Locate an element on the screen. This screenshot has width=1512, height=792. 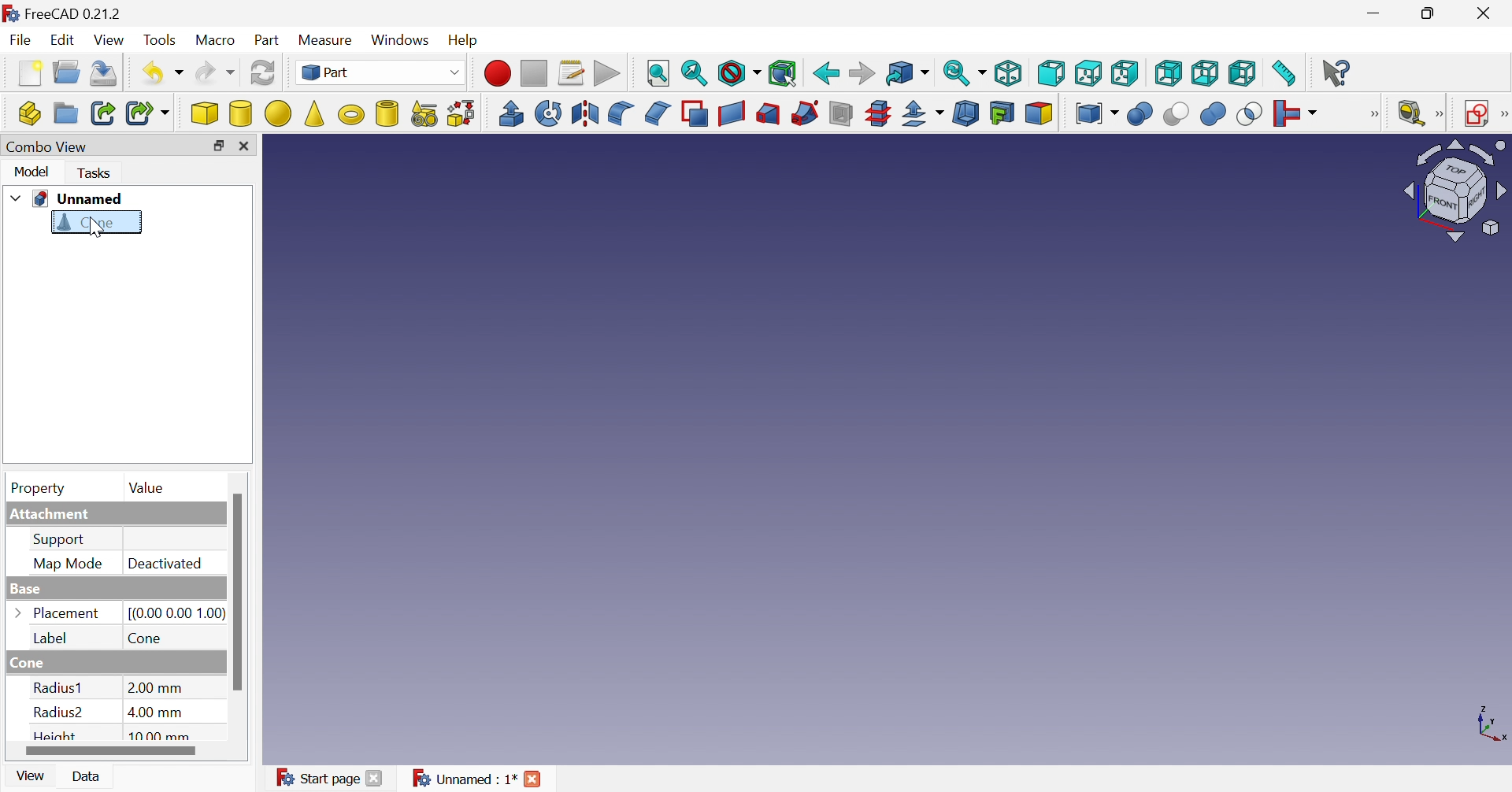
Extrude is located at coordinates (512, 113).